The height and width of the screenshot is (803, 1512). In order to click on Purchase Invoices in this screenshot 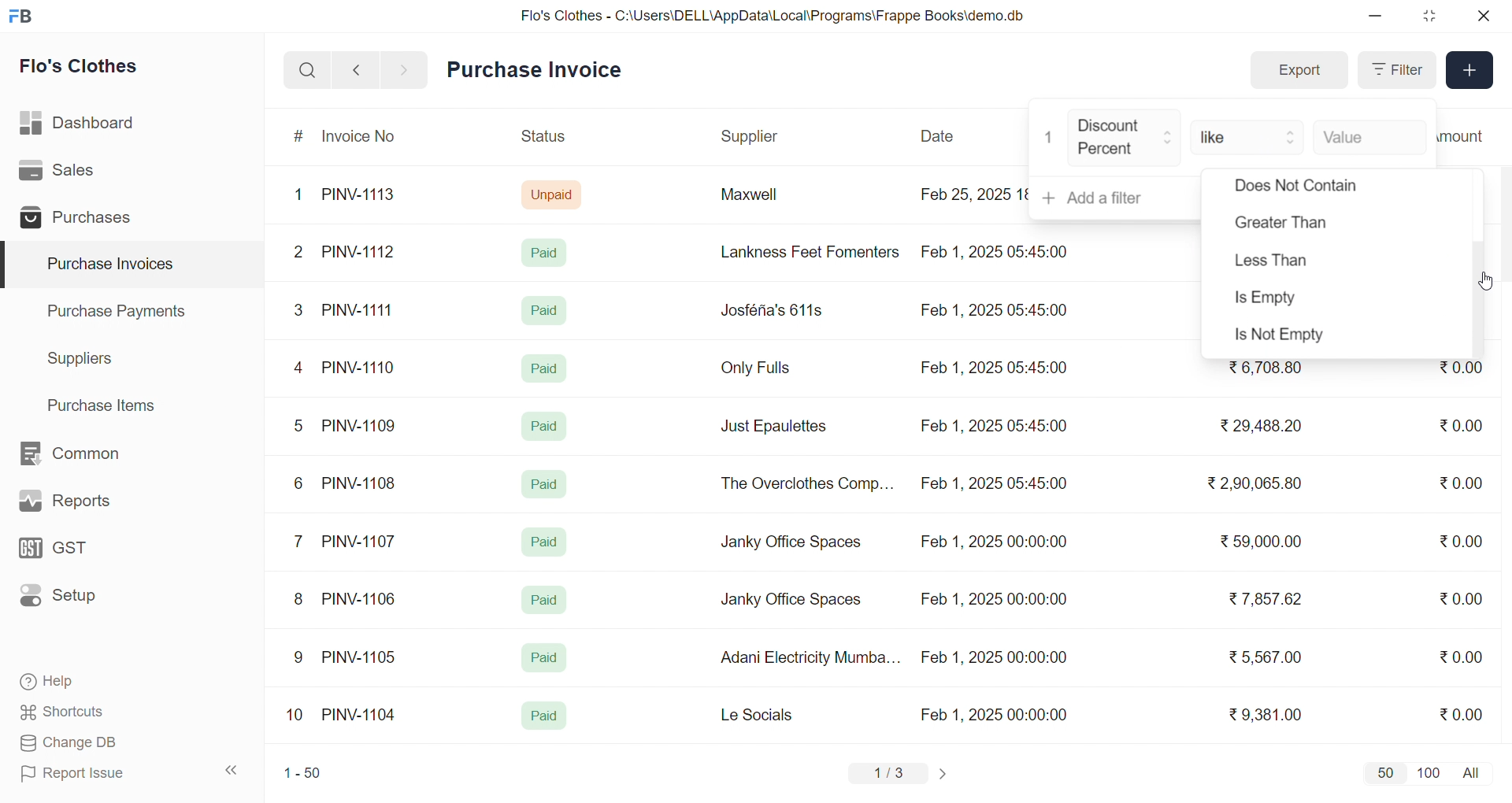, I will do `click(108, 265)`.